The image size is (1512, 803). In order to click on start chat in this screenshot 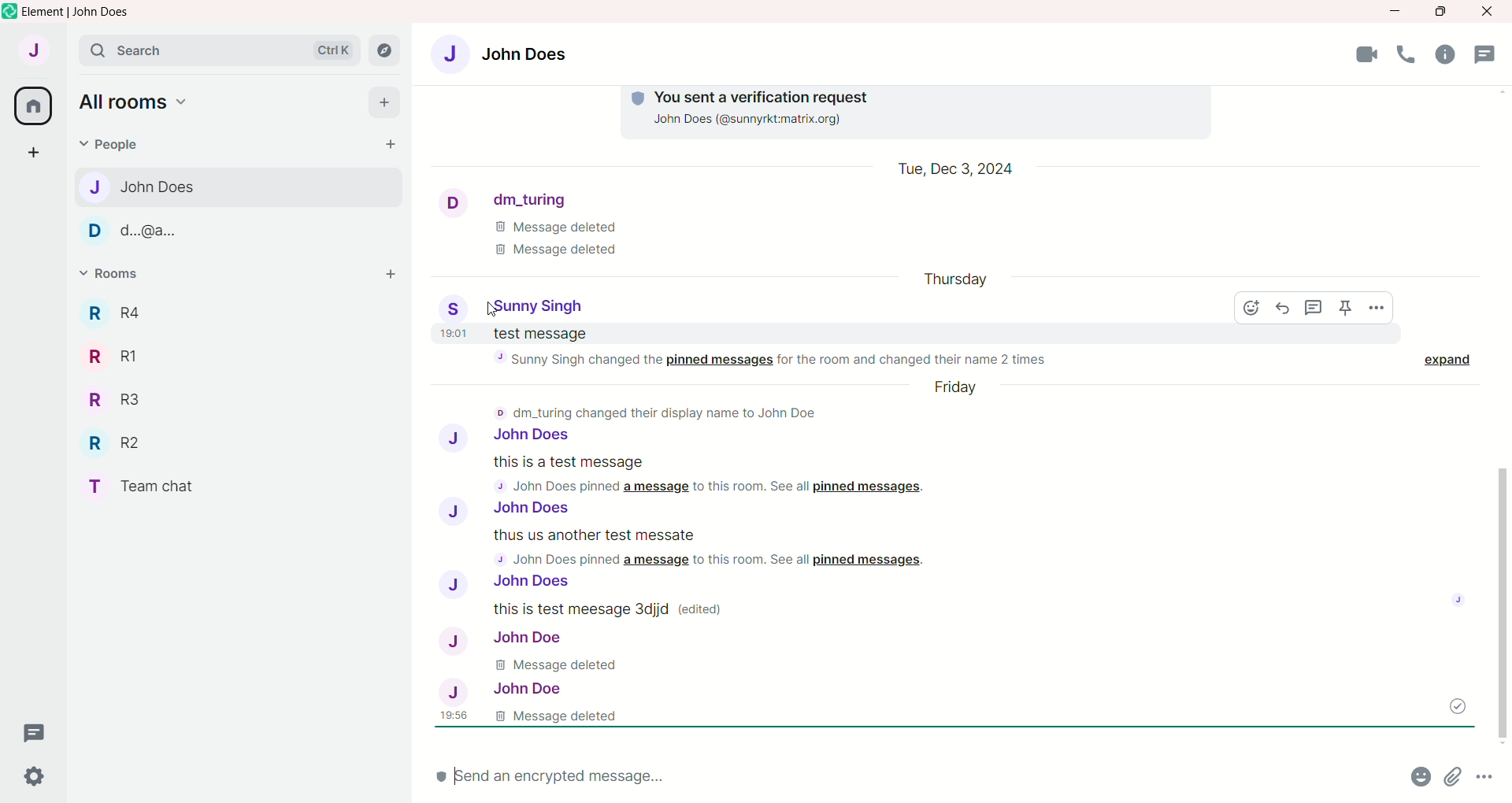, I will do `click(384, 146)`.